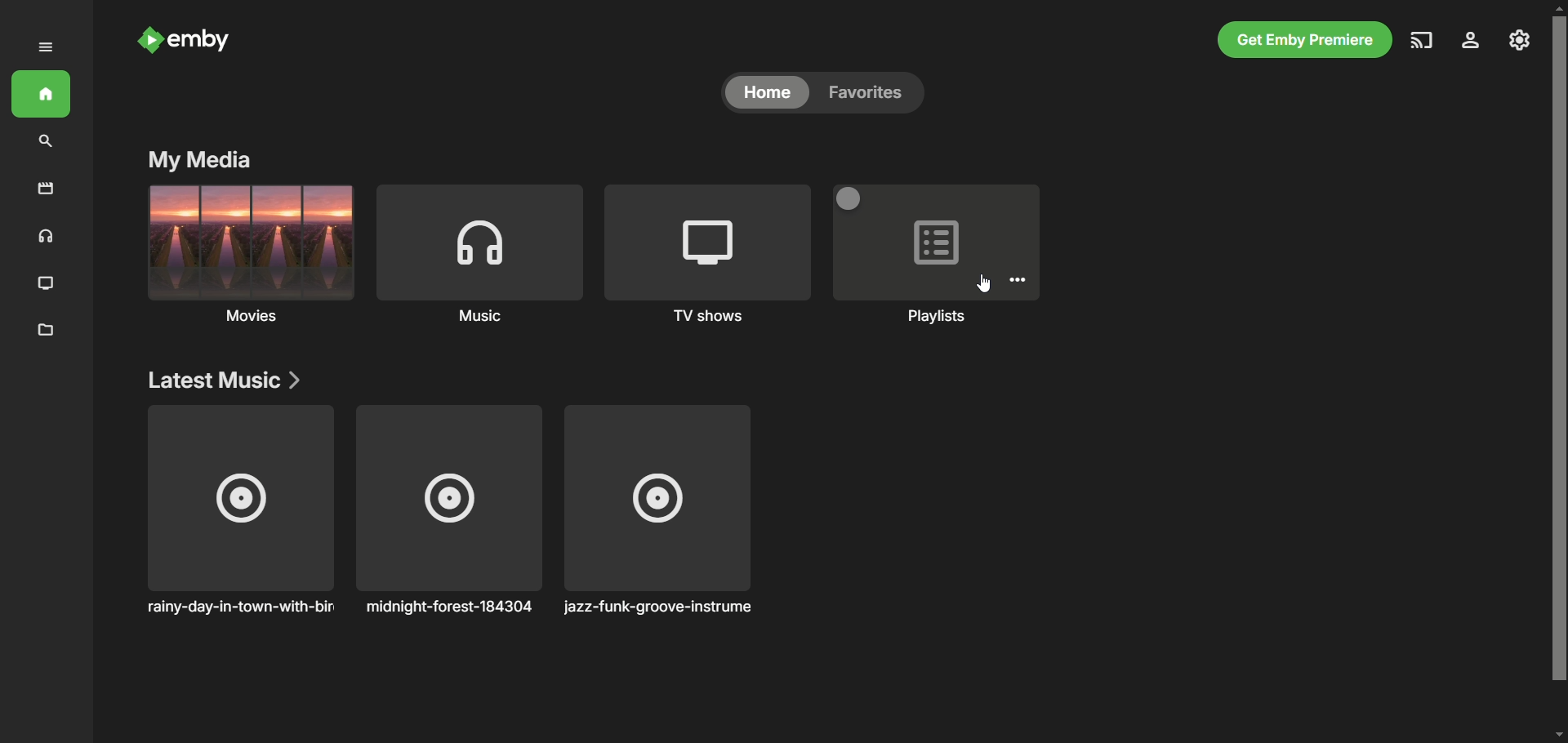 The width and height of the screenshot is (1568, 743). I want to click on Settings, so click(1018, 279).